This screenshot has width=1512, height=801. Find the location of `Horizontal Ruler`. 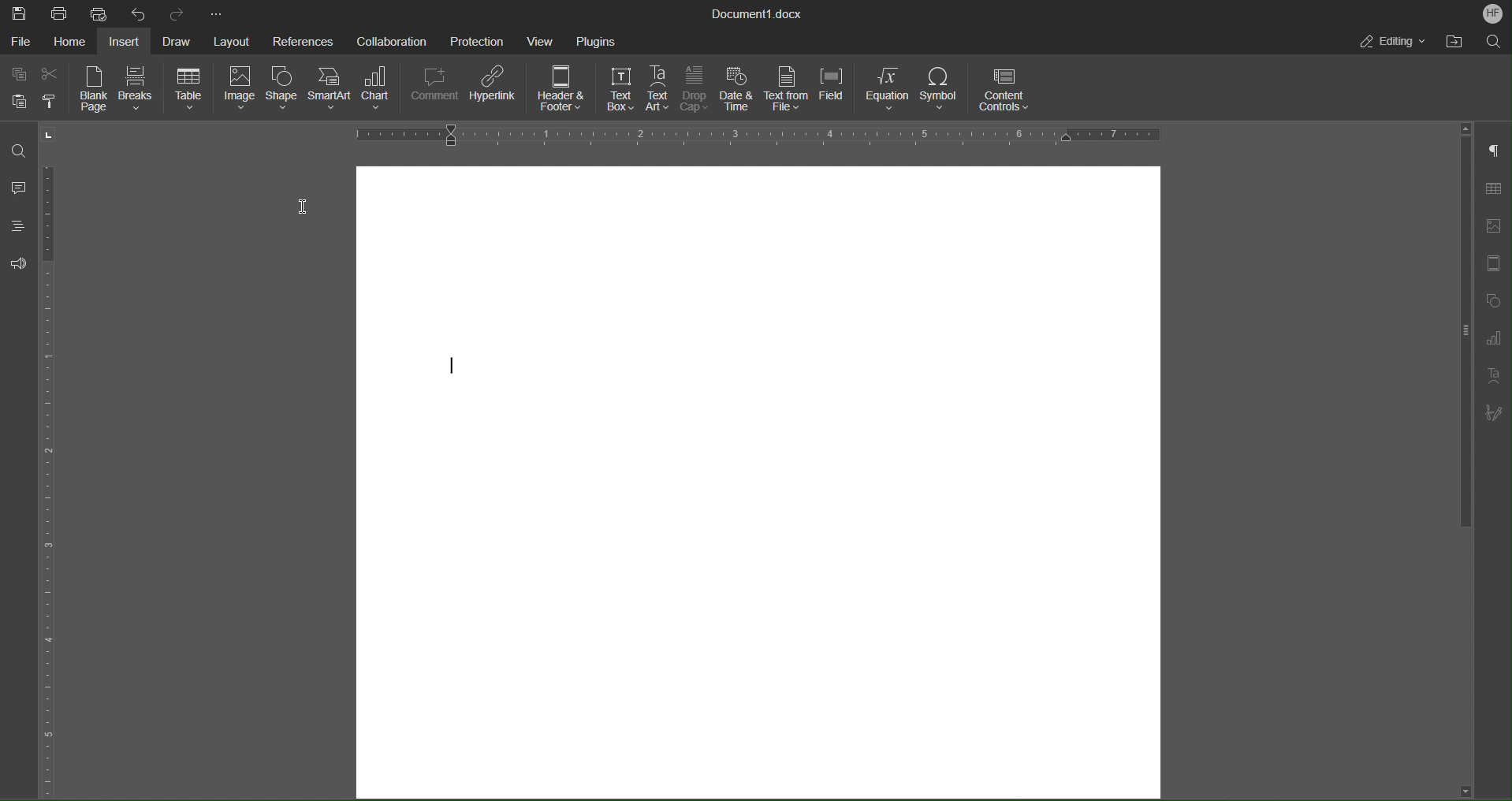

Horizontal Ruler is located at coordinates (758, 133).